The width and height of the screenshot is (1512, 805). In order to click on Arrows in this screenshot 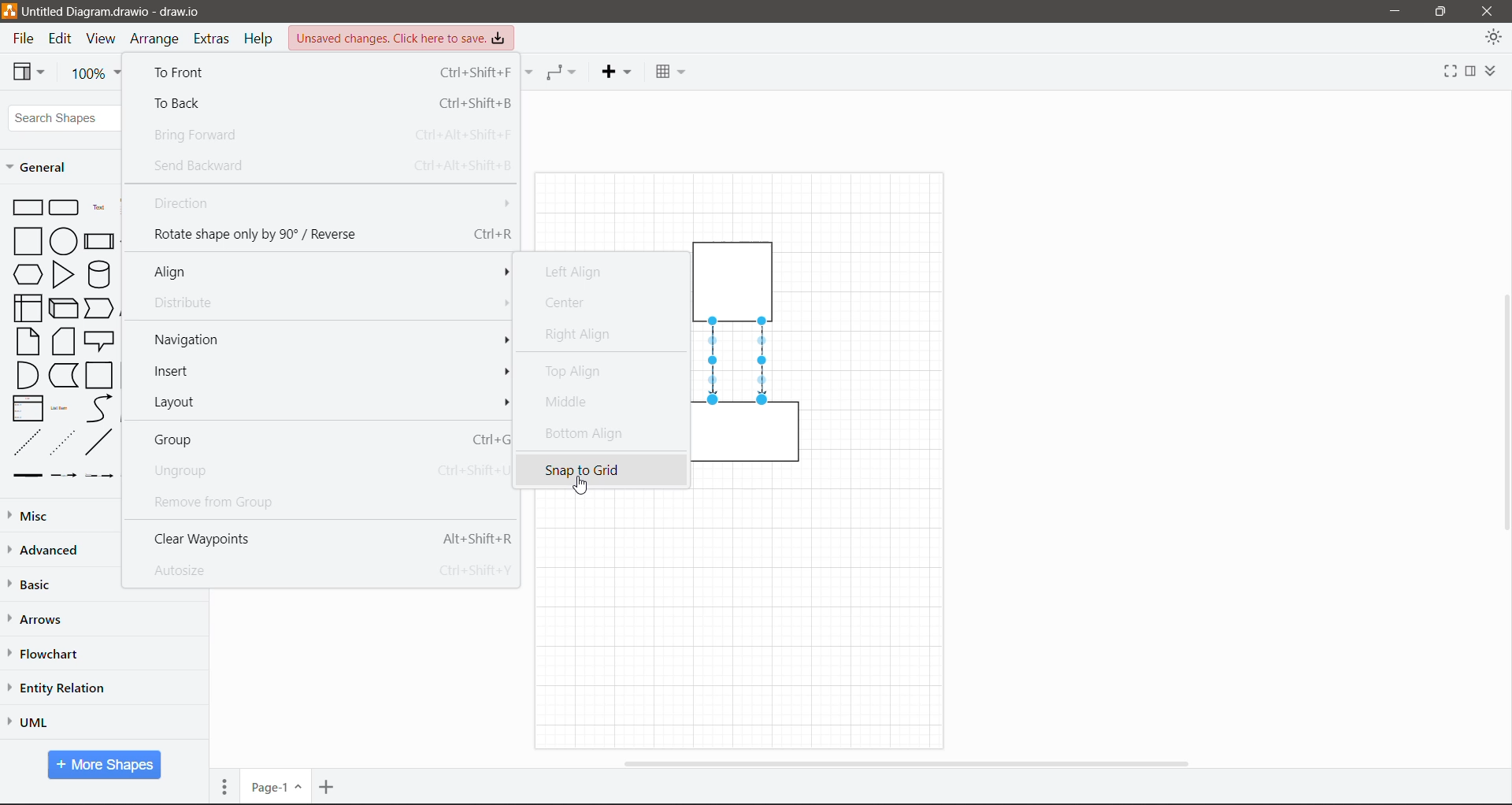, I will do `click(39, 620)`.